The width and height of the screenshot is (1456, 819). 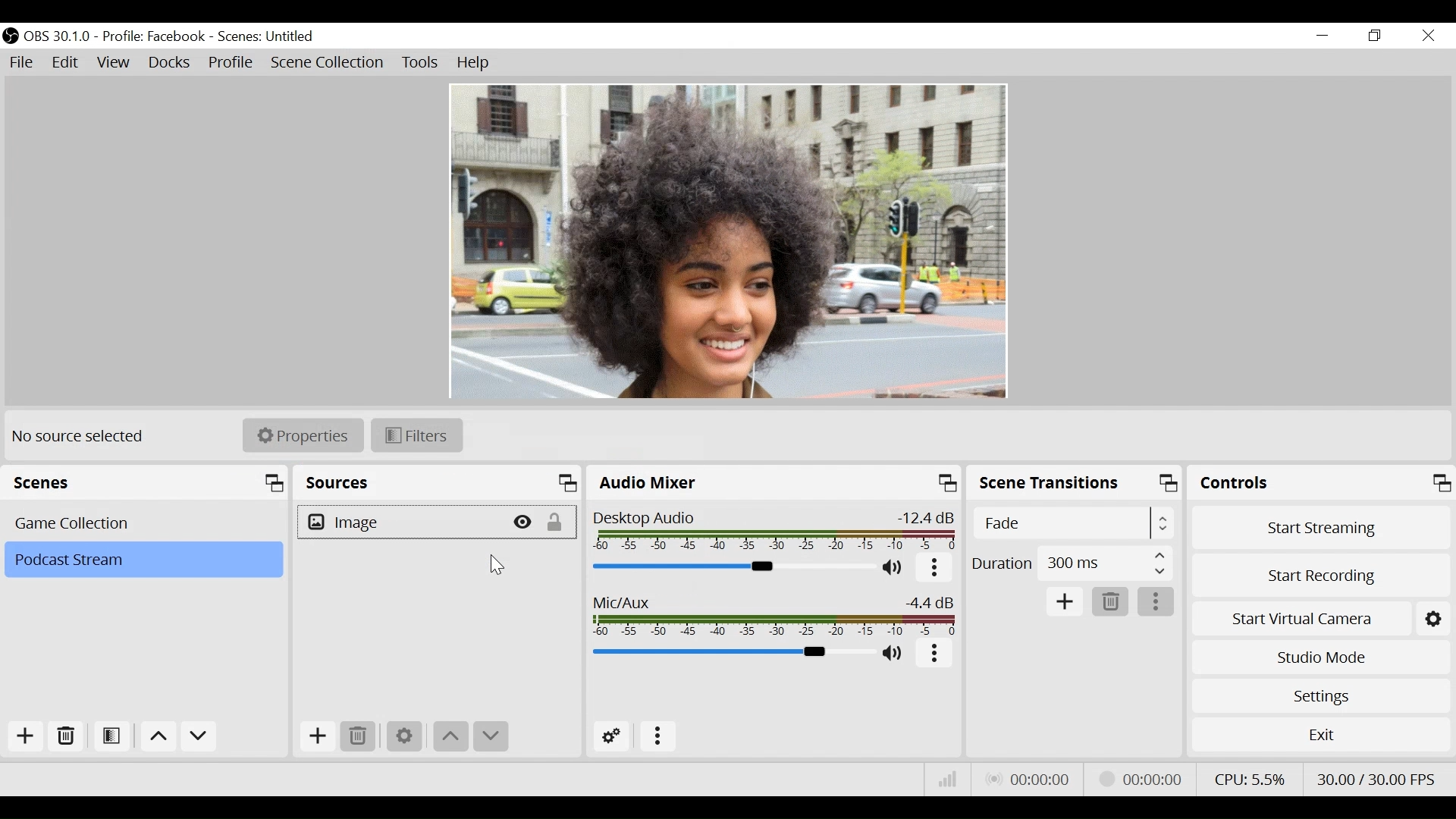 What do you see at coordinates (1072, 566) in the screenshot?
I see `Duration` at bounding box center [1072, 566].